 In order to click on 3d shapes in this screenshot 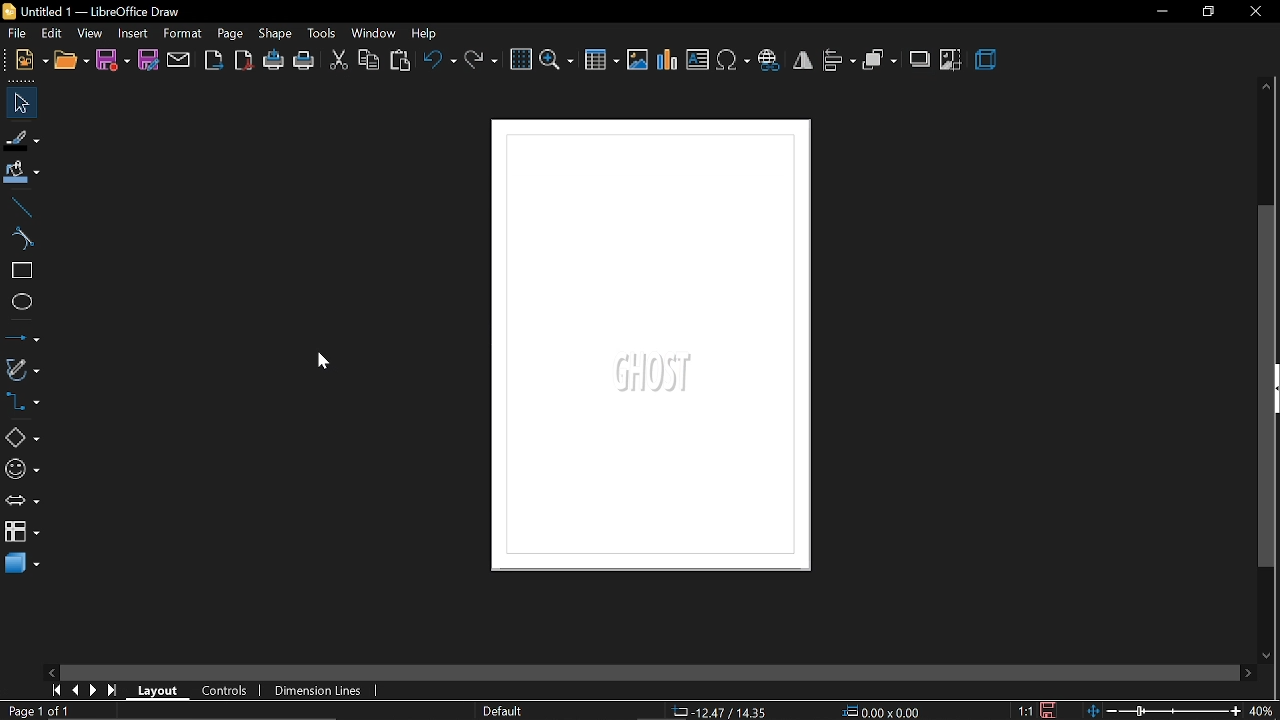, I will do `click(20, 565)`.